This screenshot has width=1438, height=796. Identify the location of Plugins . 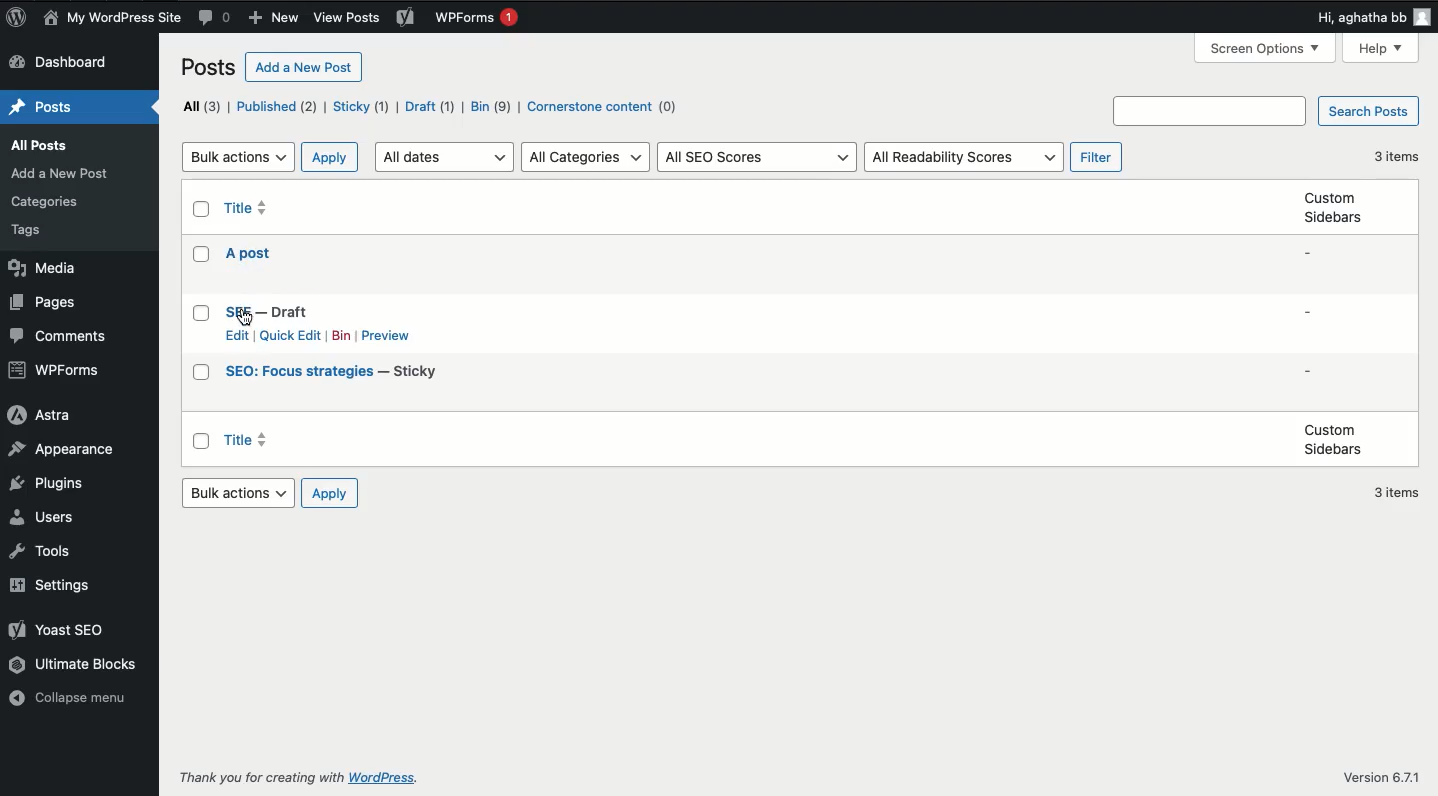
(46, 484).